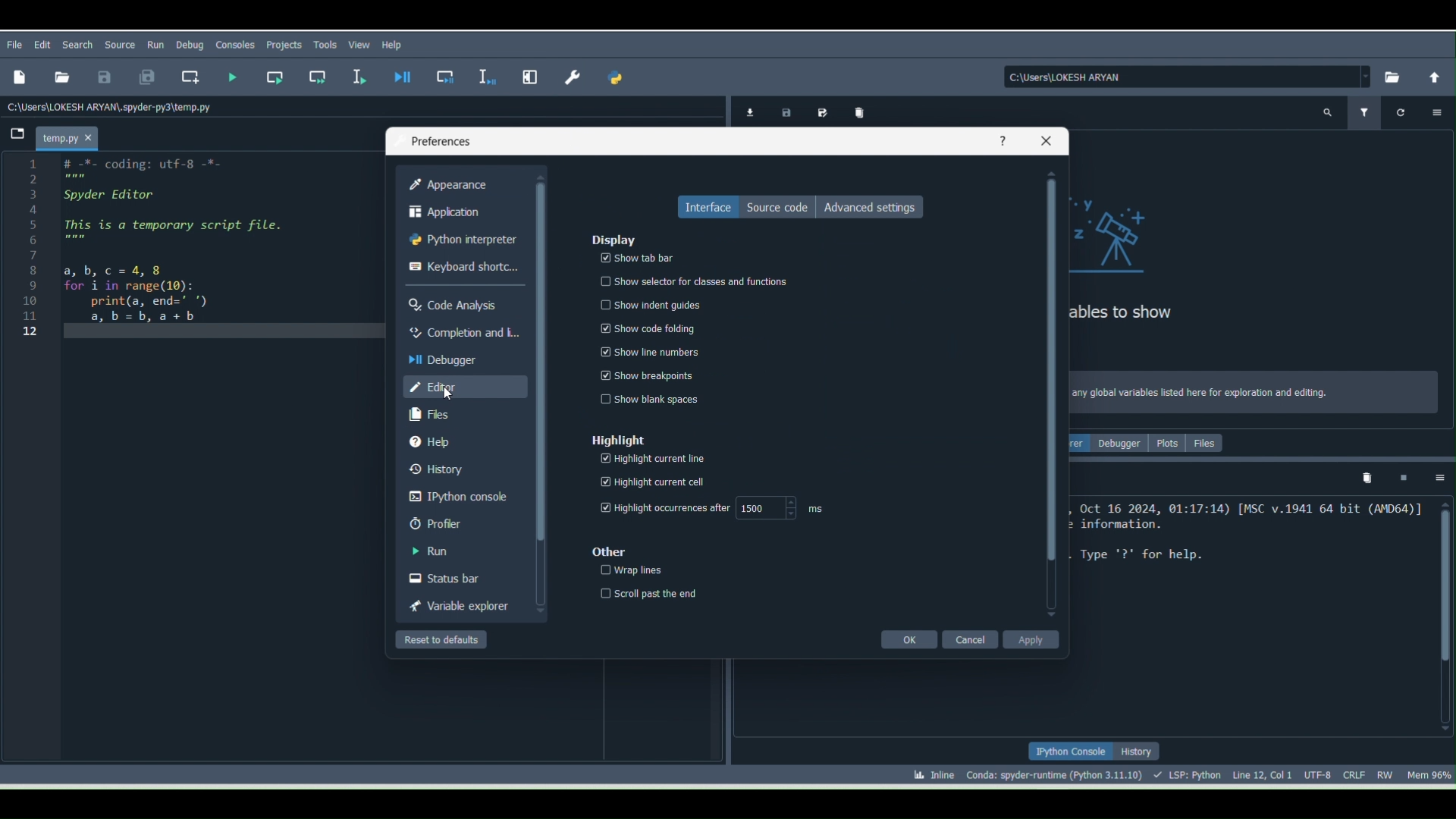 This screenshot has width=1456, height=819. I want to click on Code Analysis, so click(460, 302).